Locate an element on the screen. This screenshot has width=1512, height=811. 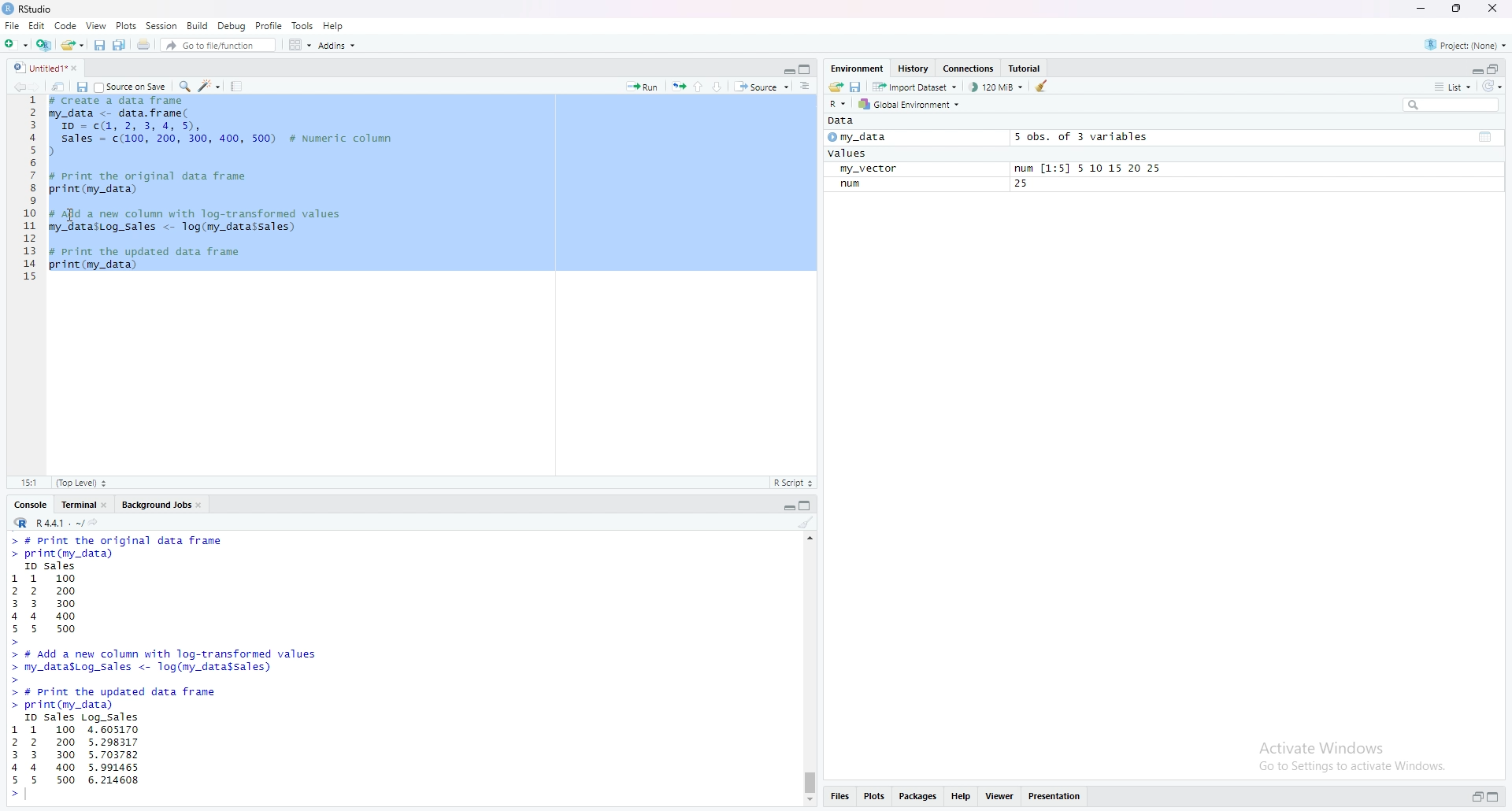
Profile is located at coordinates (269, 25).